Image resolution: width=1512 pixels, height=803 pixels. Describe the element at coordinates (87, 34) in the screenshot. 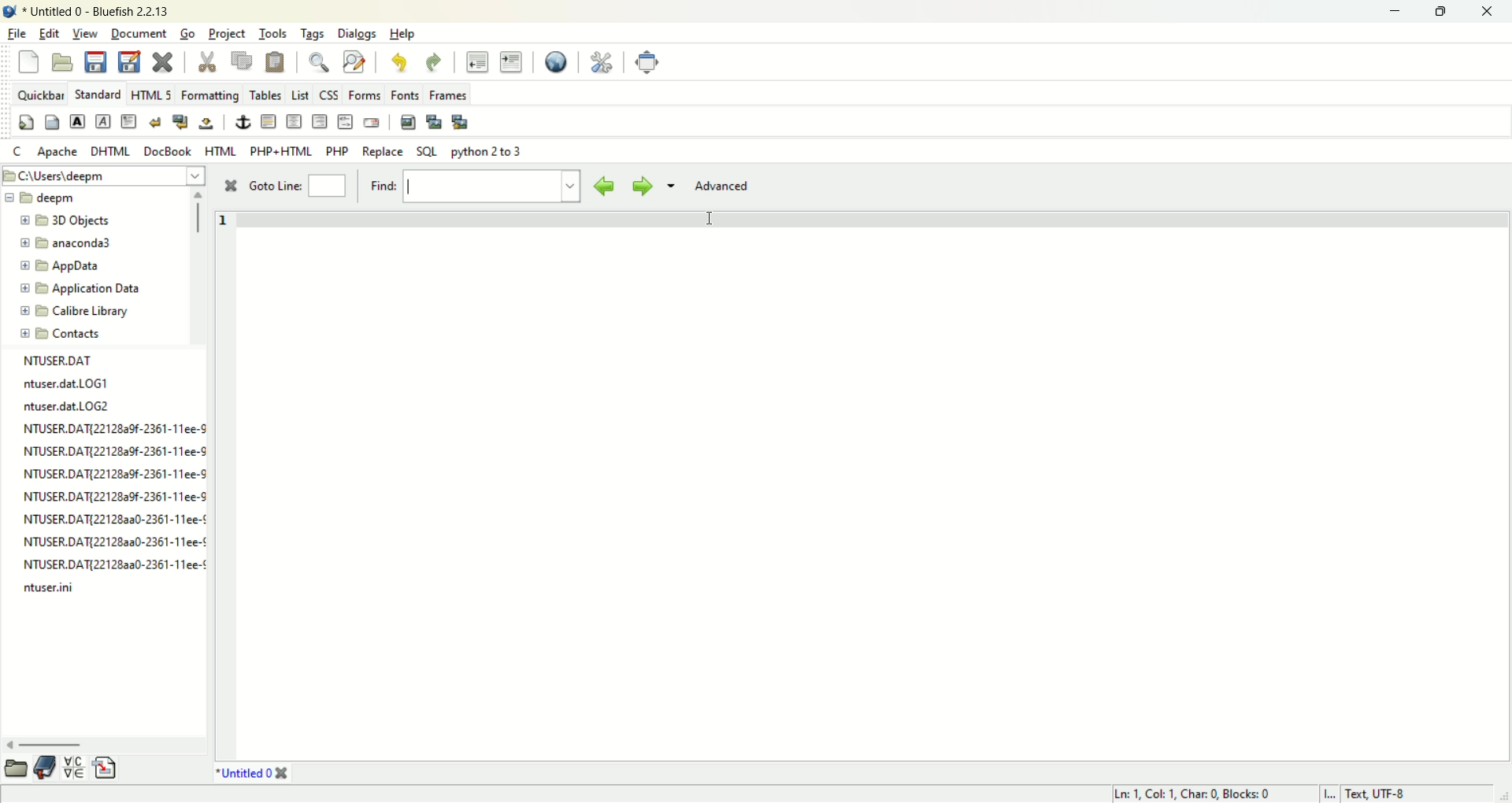

I see `view` at that location.